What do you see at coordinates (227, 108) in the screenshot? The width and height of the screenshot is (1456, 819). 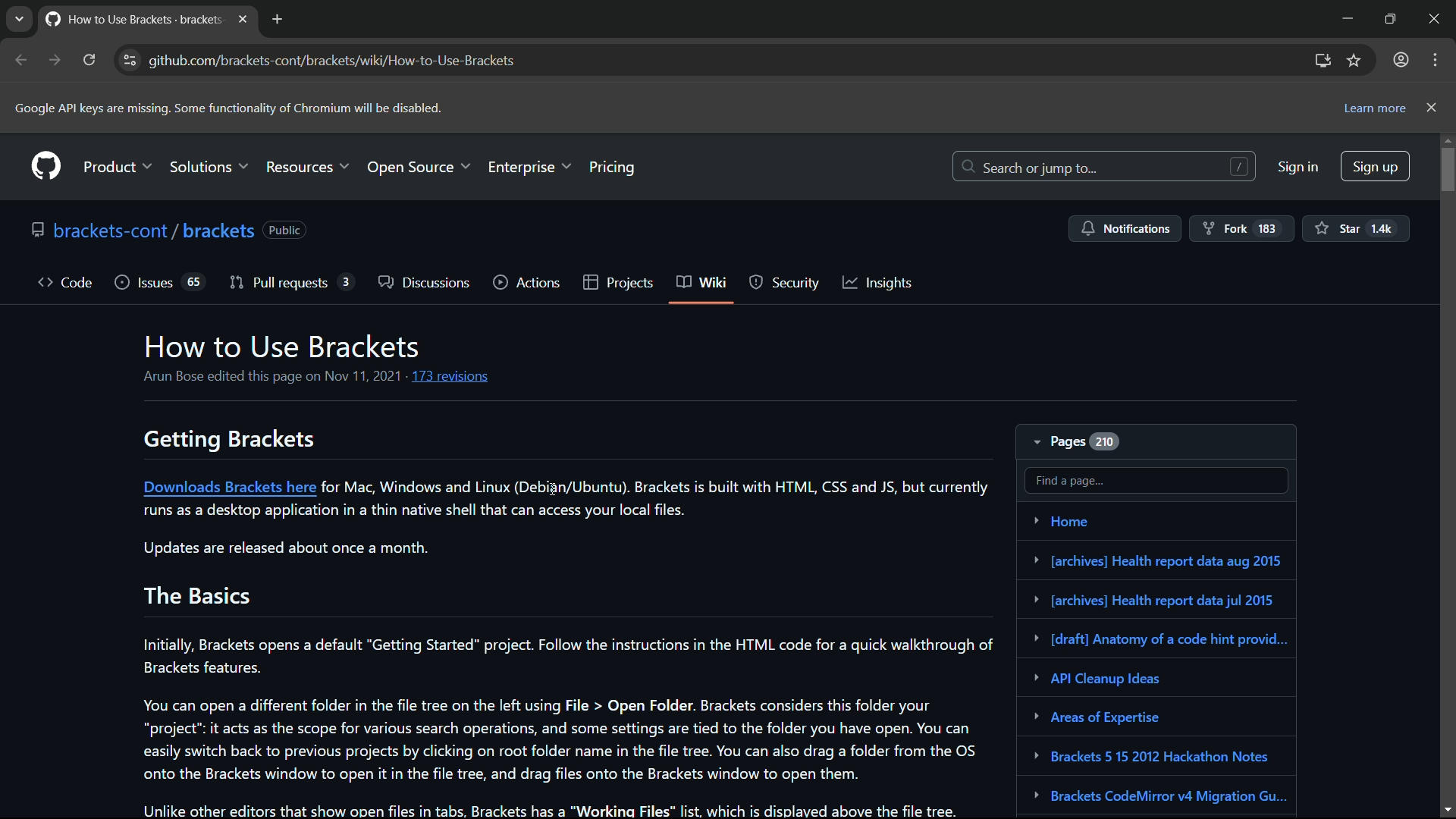 I see `Google API keys are missing. Some functionality of Chromium will be disabled.` at bounding box center [227, 108].